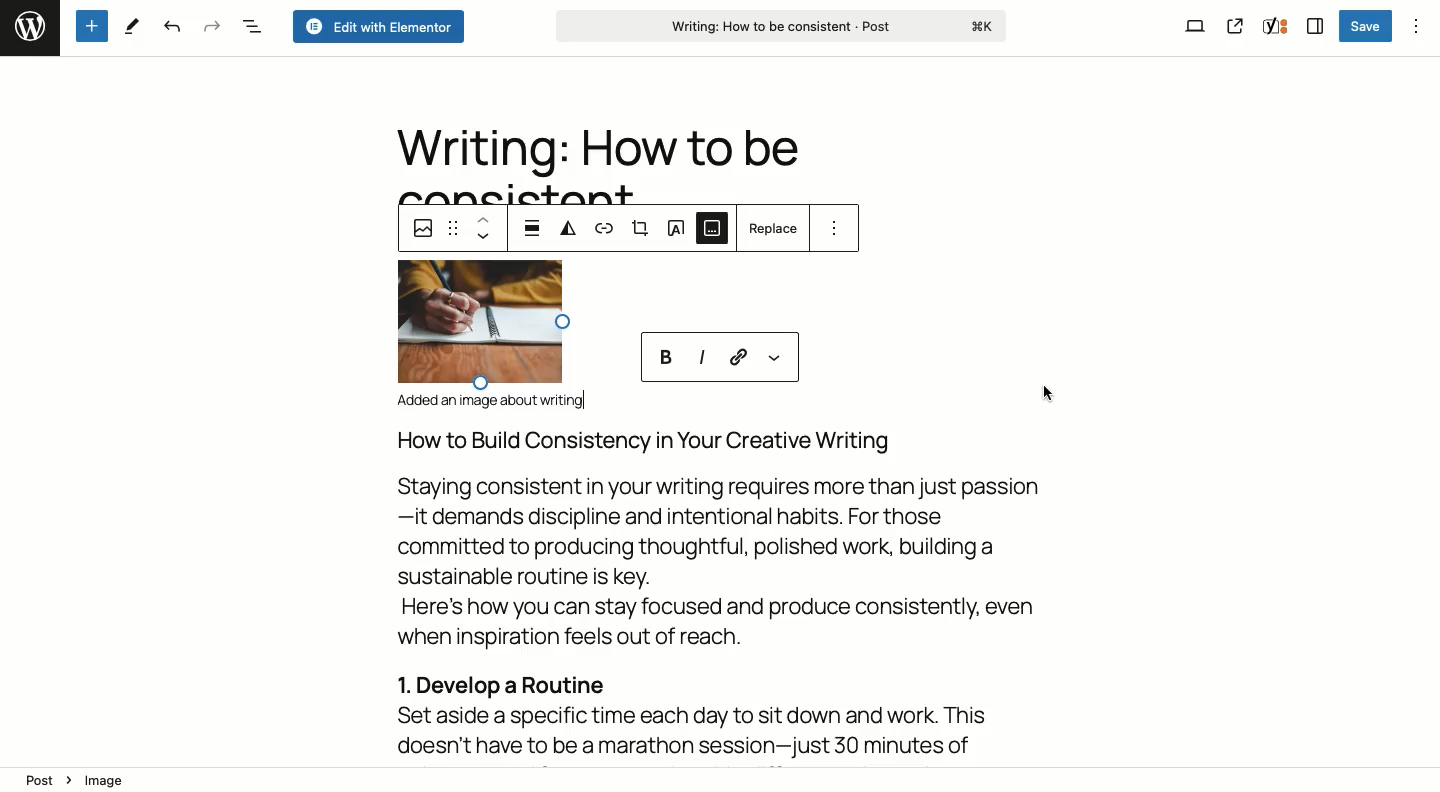 Image resolution: width=1440 pixels, height=792 pixels. I want to click on Document overview, so click(251, 25).